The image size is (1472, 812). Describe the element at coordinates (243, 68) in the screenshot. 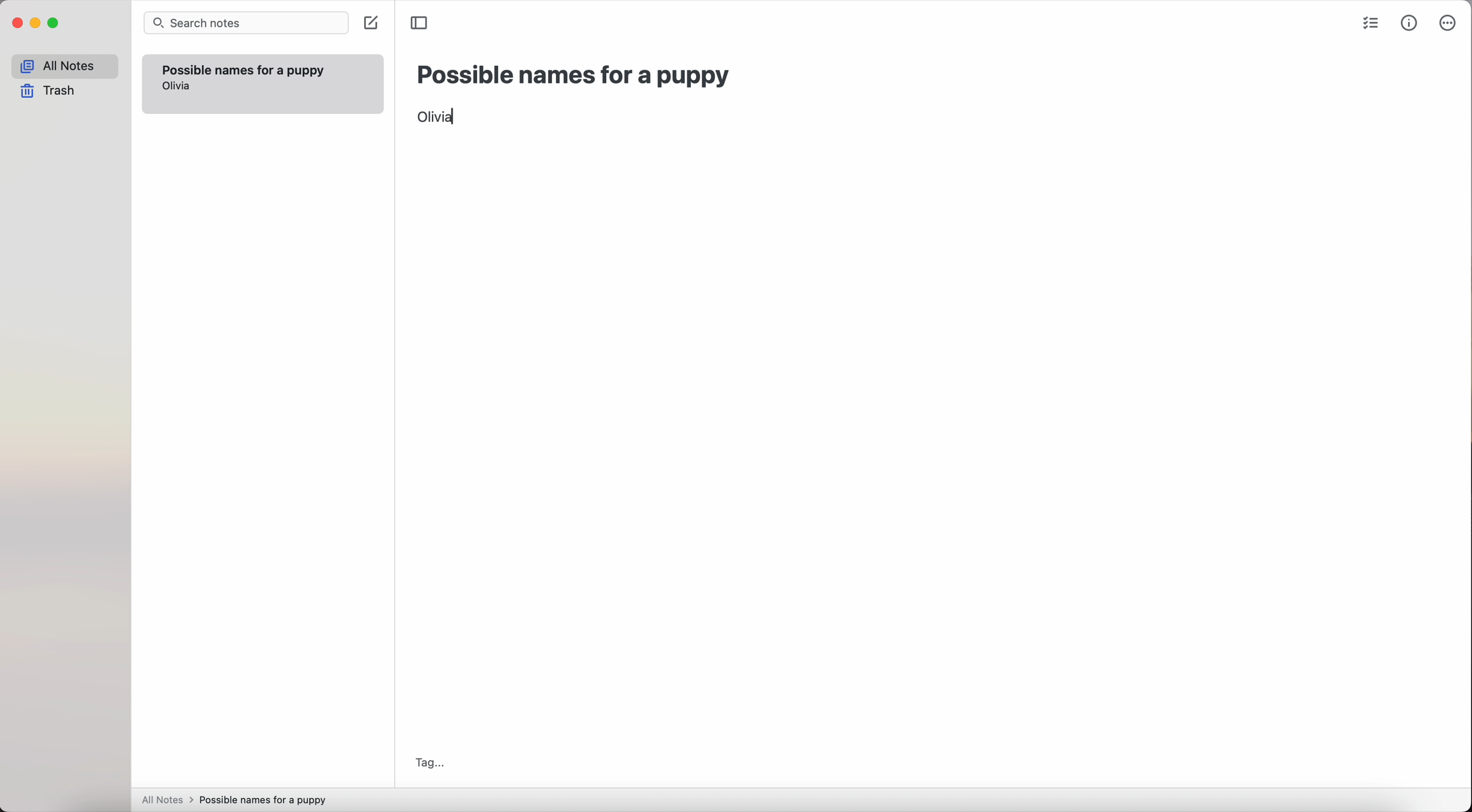

I see `possible names for a puppy note` at that location.